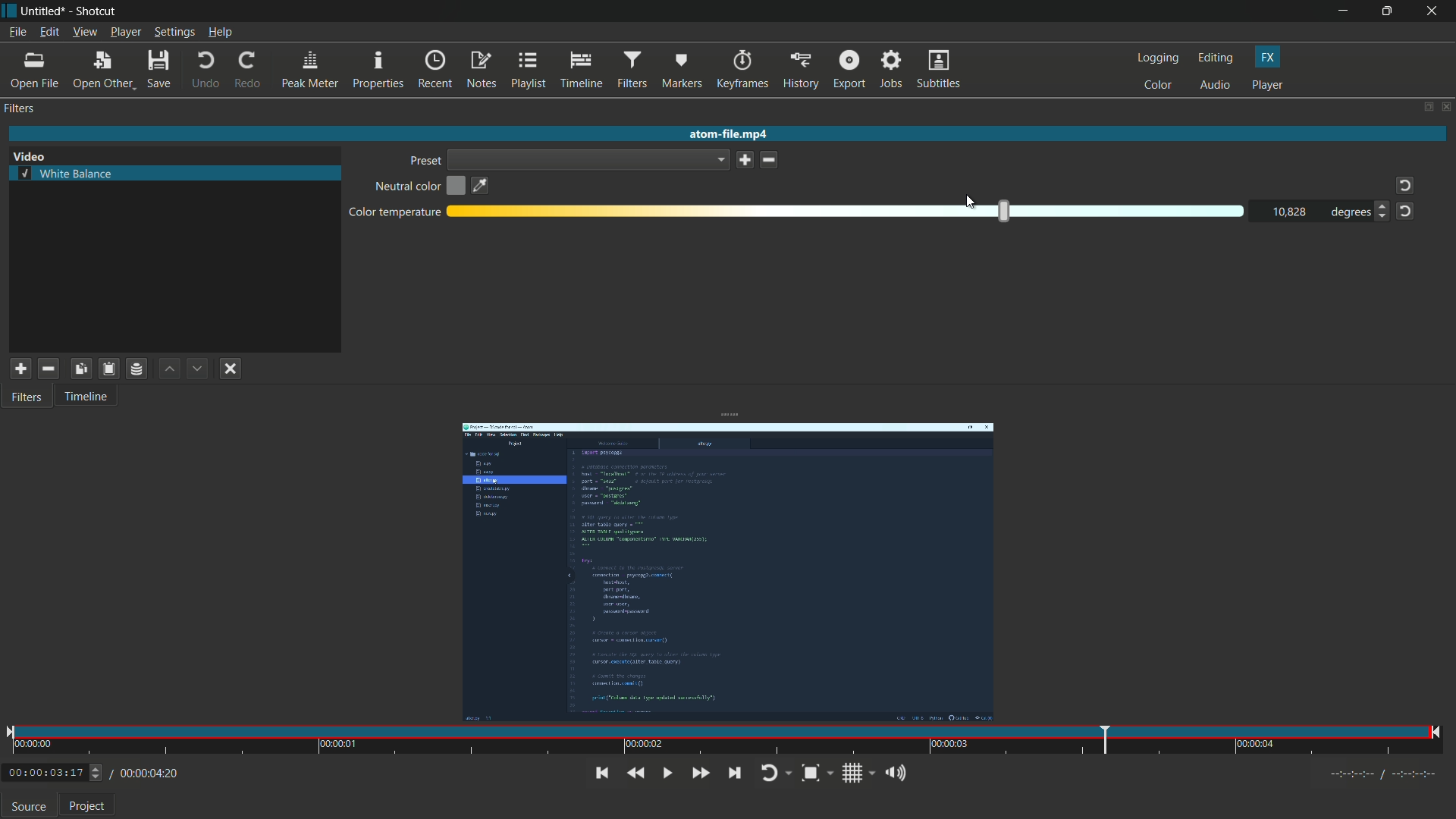 The width and height of the screenshot is (1456, 819). What do you see at coordinates (17, 31) in the screenshot?
I see `file menu` at bounding box center [17, 31].